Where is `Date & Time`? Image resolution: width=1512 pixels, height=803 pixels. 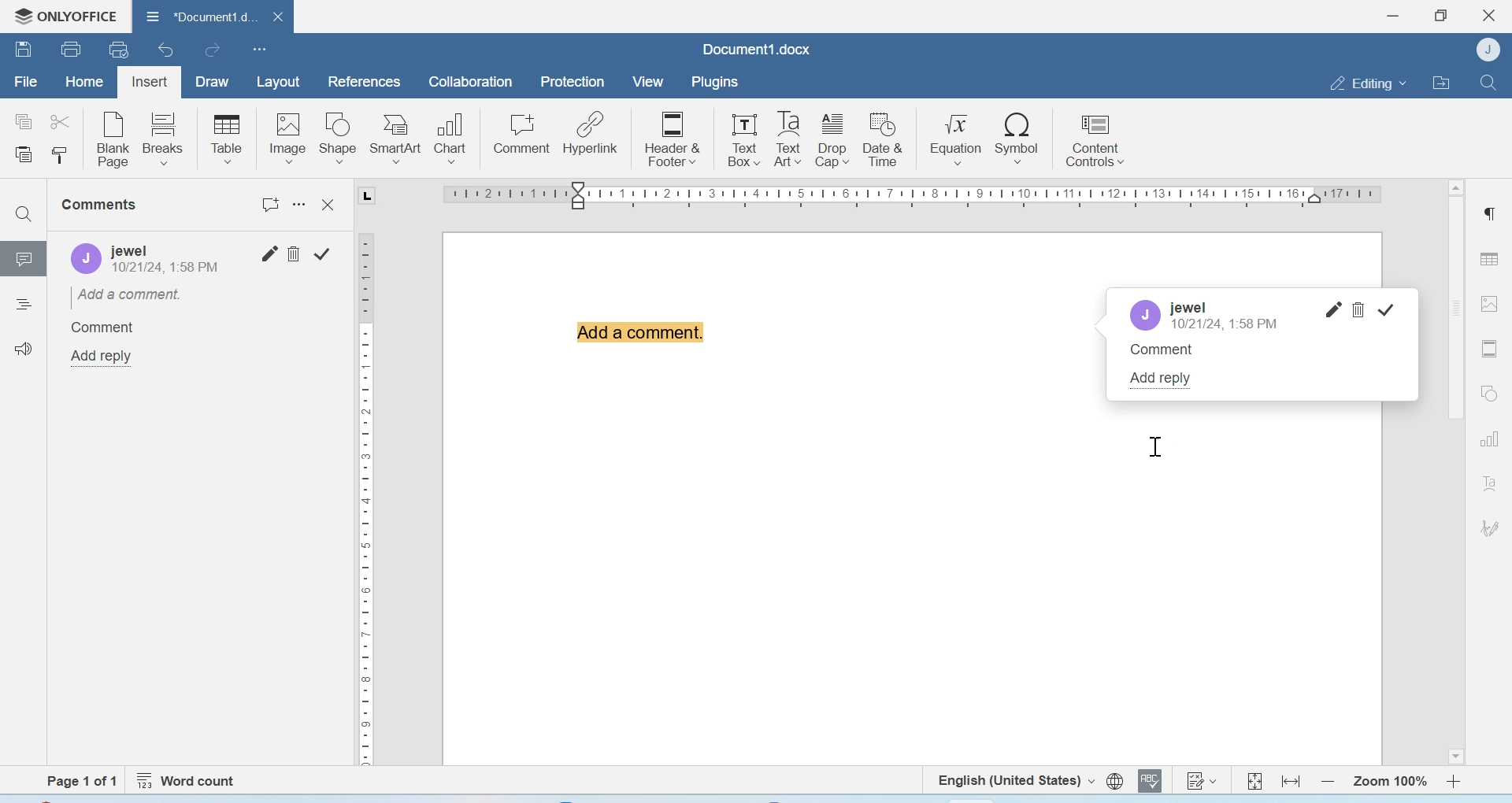 Date & Time is located at coordinates (884, 139).